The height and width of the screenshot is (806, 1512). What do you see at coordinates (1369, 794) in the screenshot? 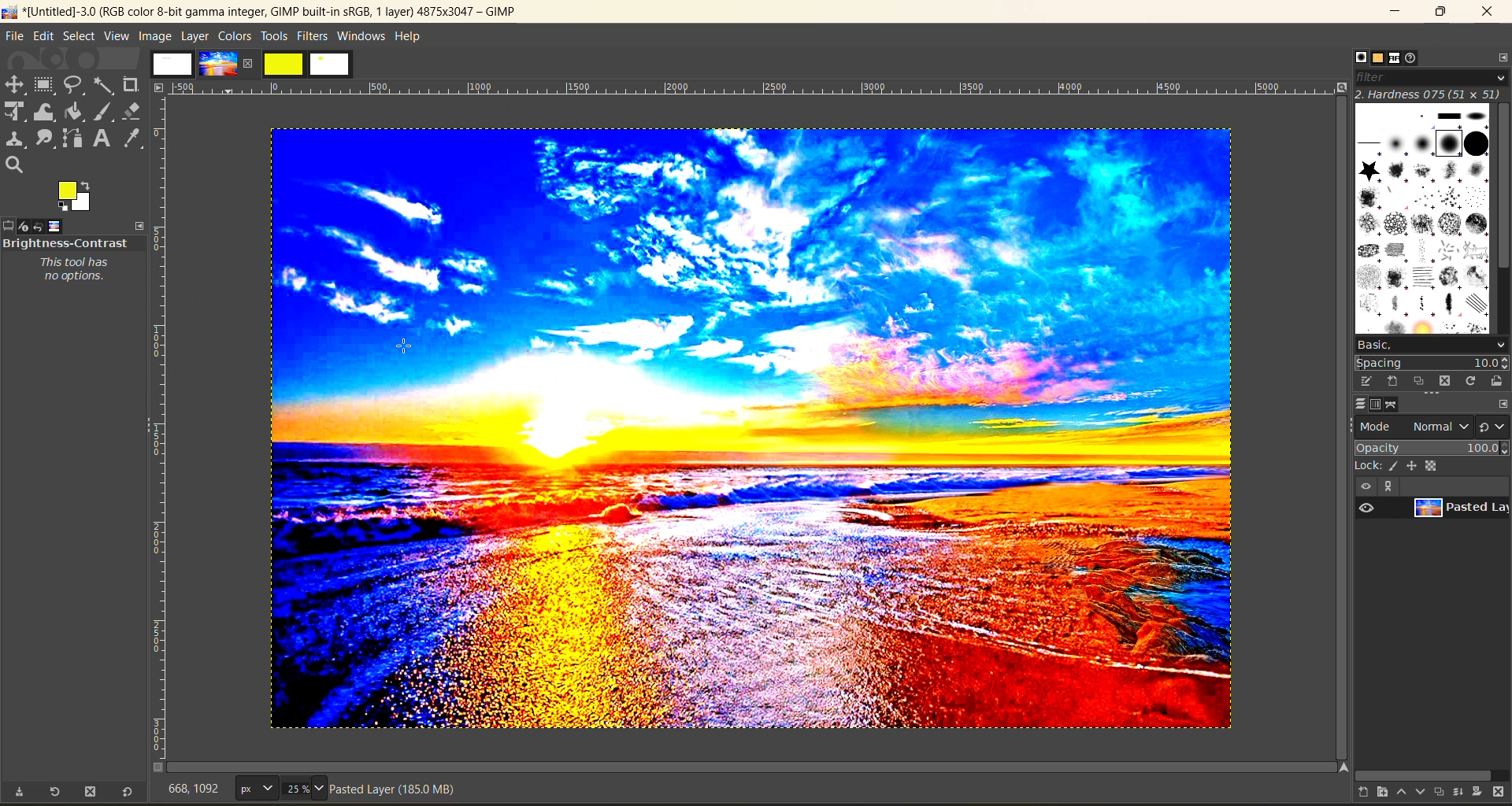
I see `create a new layer` at bounding box center [1369, 794].